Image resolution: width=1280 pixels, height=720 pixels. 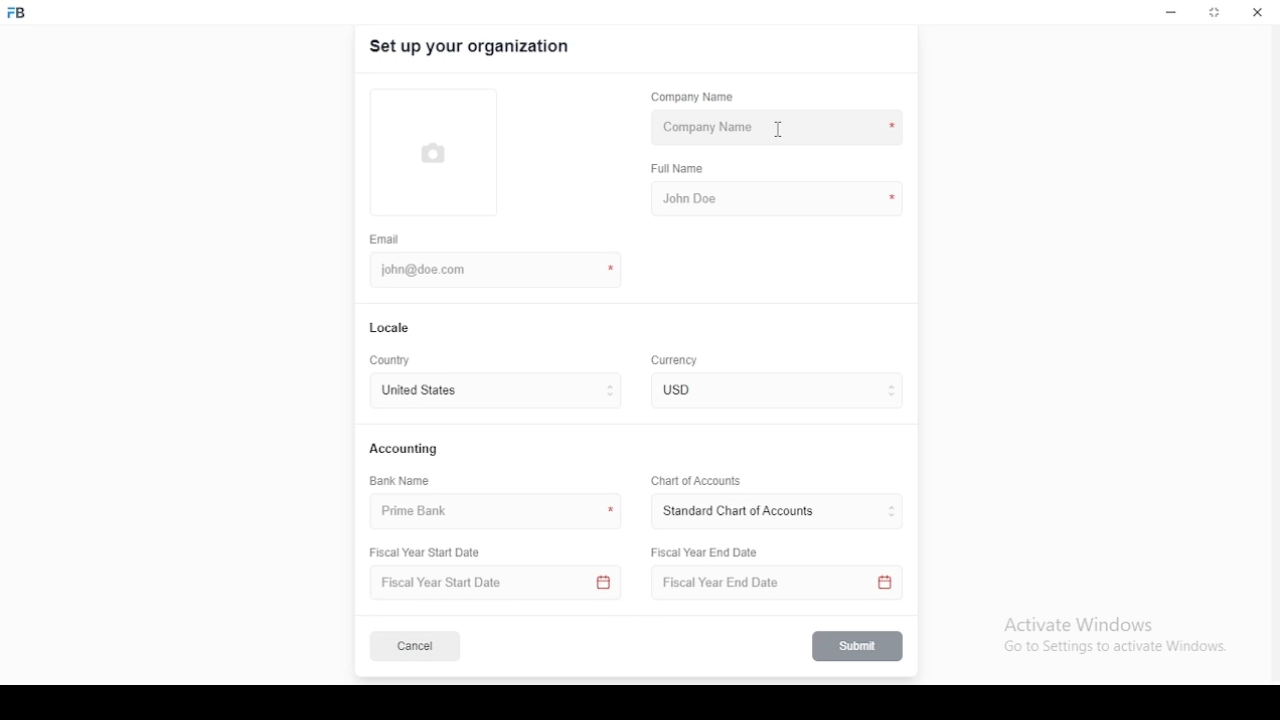 What do you see at coordinates (859, 646) in the screenshot?
I see `submit` at bounding box center [859, 646].